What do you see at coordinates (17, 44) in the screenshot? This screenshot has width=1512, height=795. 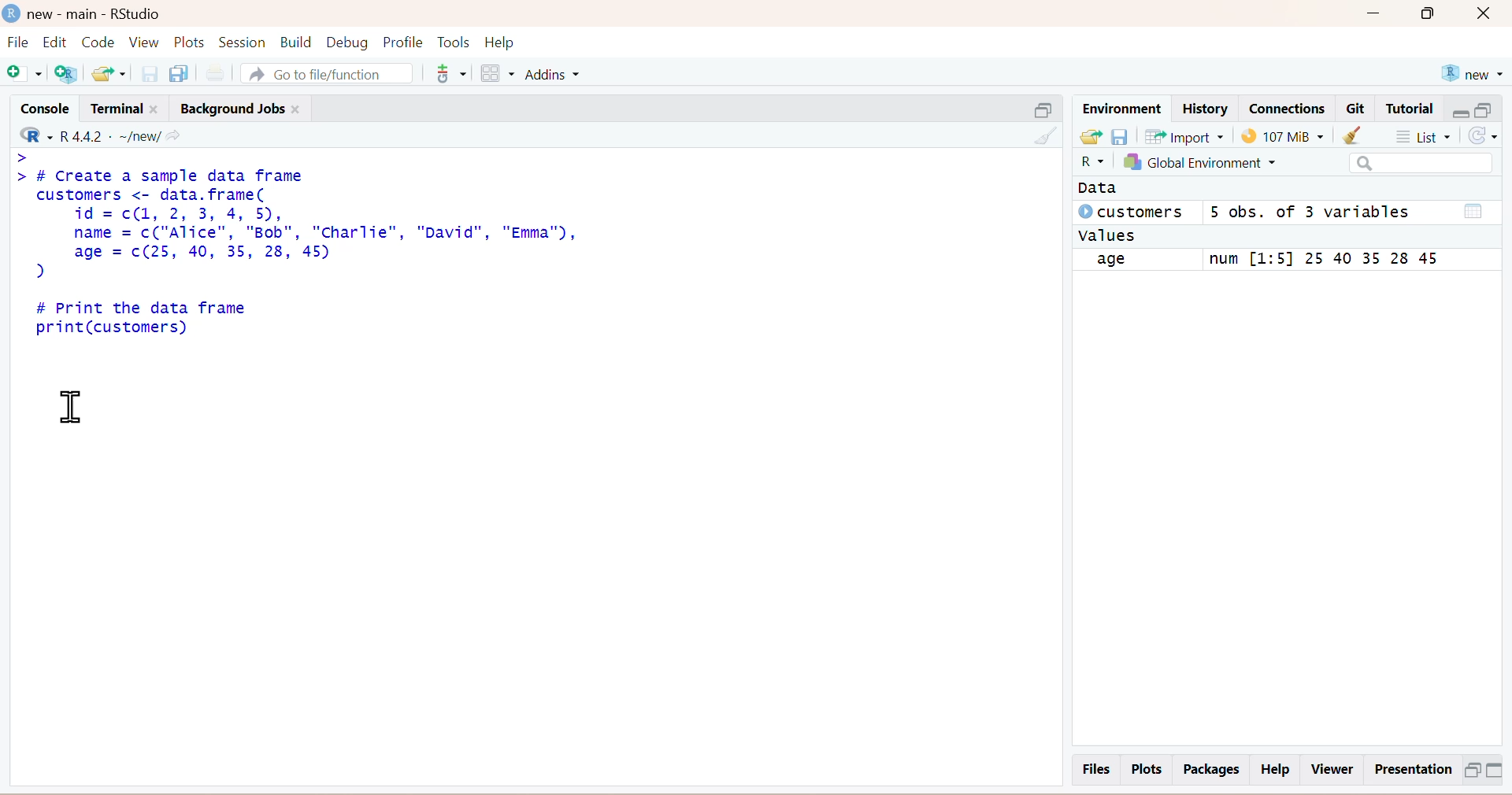 I see `File` at bounding box center [17, 44].